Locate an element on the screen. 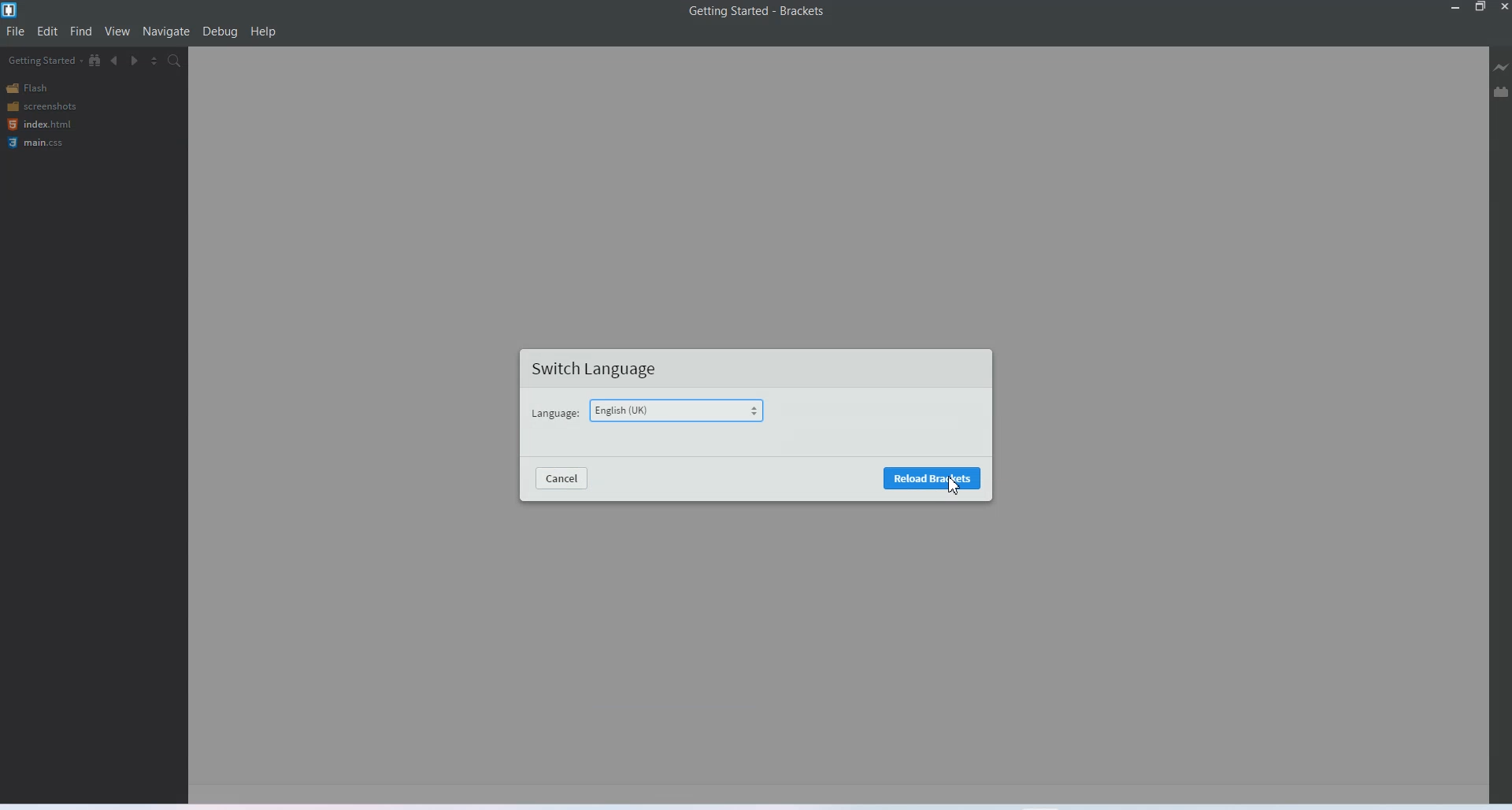  language is located at coordinates (555, 414).